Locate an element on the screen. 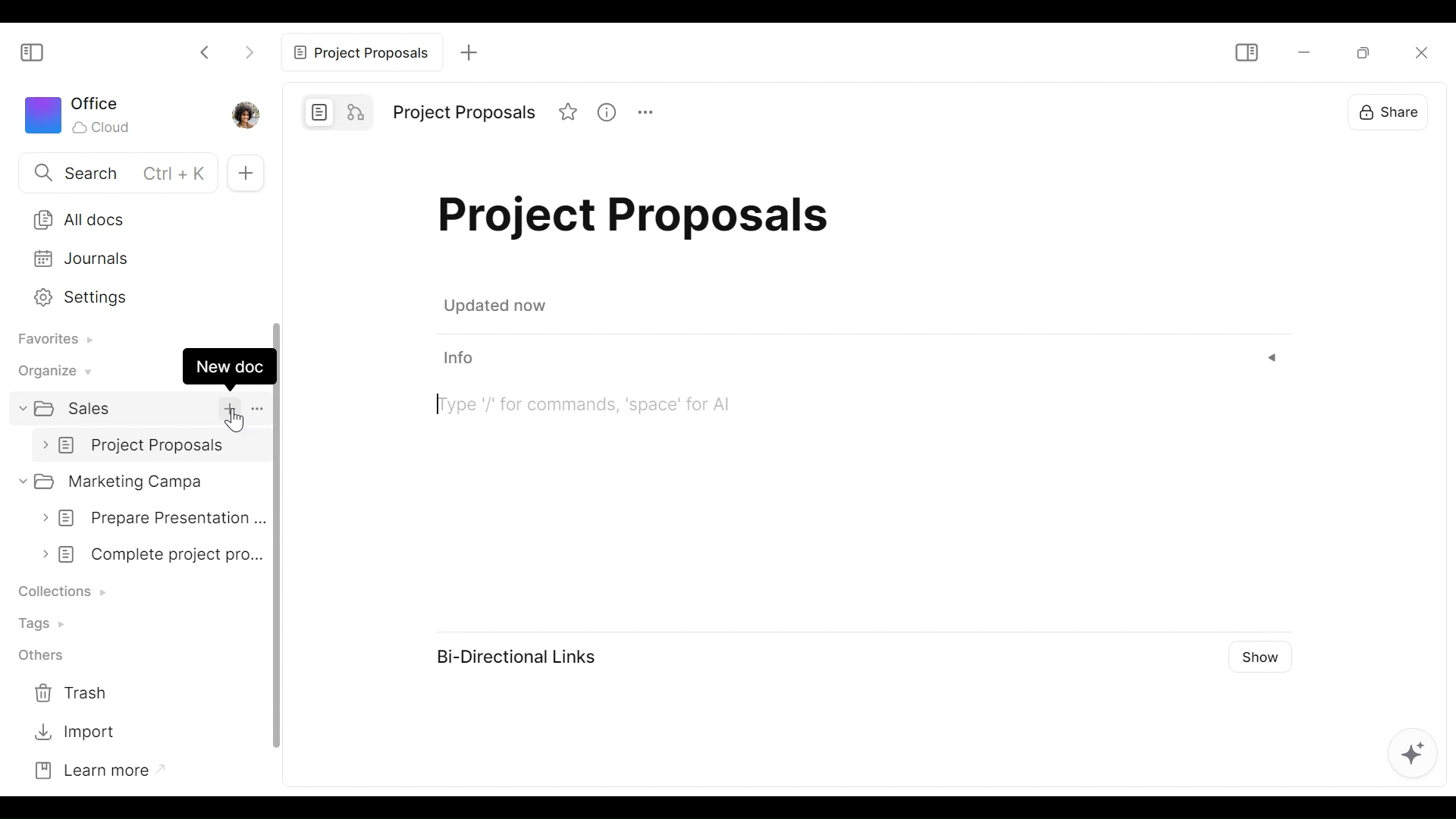 This screenshot has width=1456, height=819. add tab is located at coordinates (473, 52).